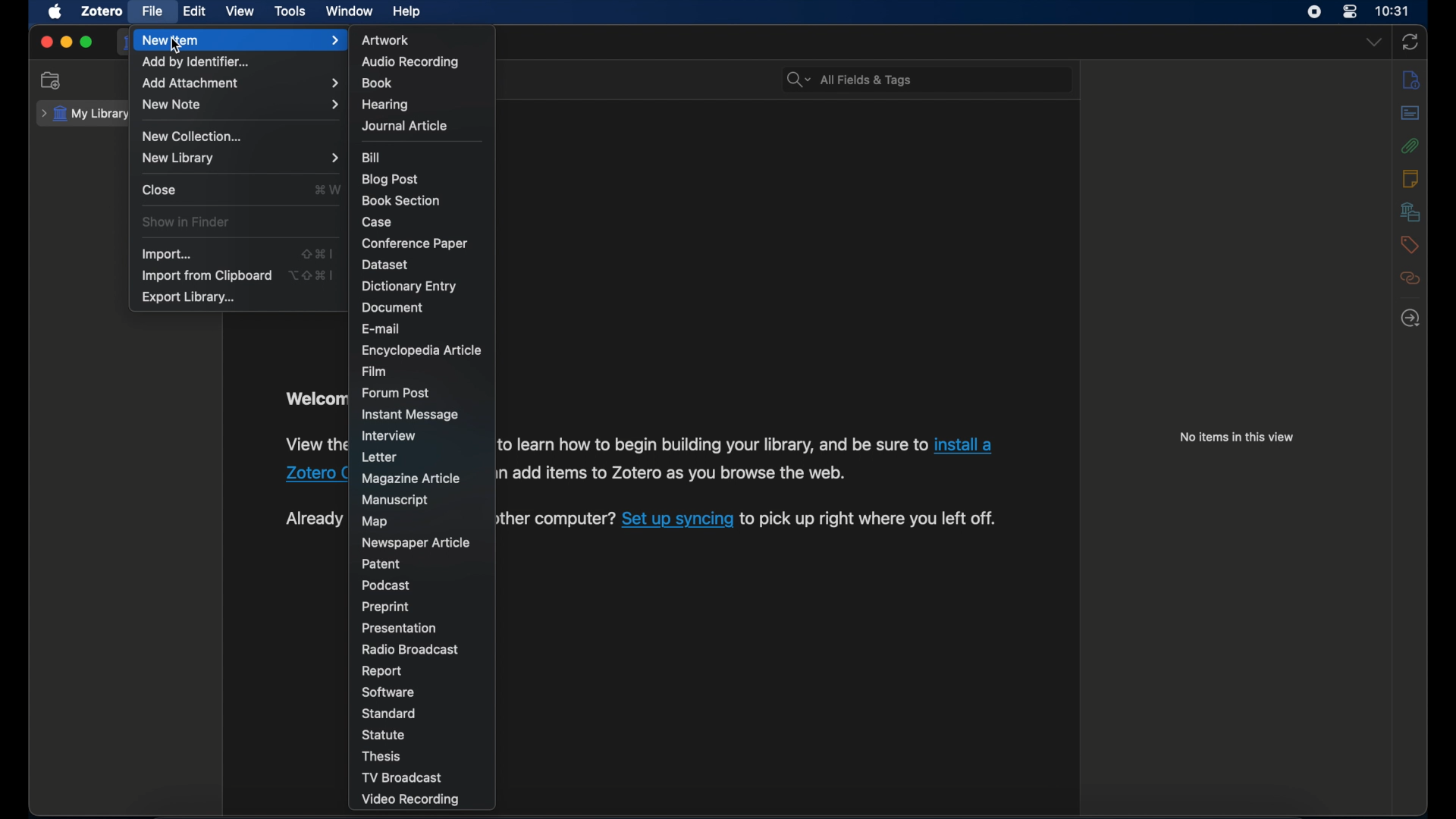 The image size is (1456, 819). What do you see at coordinates (377, 83) in the screenshot?
I see `book` at bounding box center [377, 83].